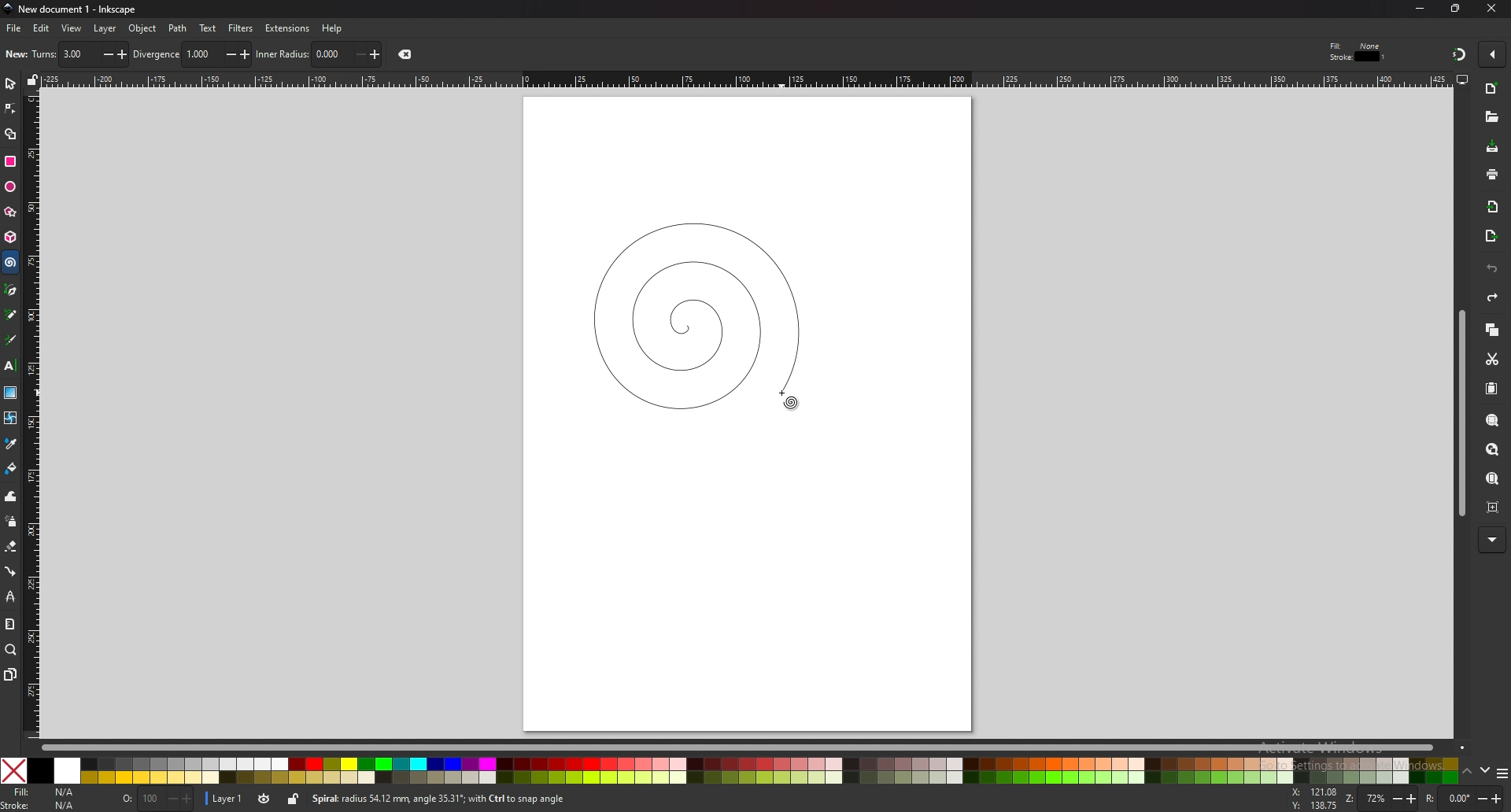 This screenshot has height=812, width=1511. I want to click on import, so click(1492, 207).